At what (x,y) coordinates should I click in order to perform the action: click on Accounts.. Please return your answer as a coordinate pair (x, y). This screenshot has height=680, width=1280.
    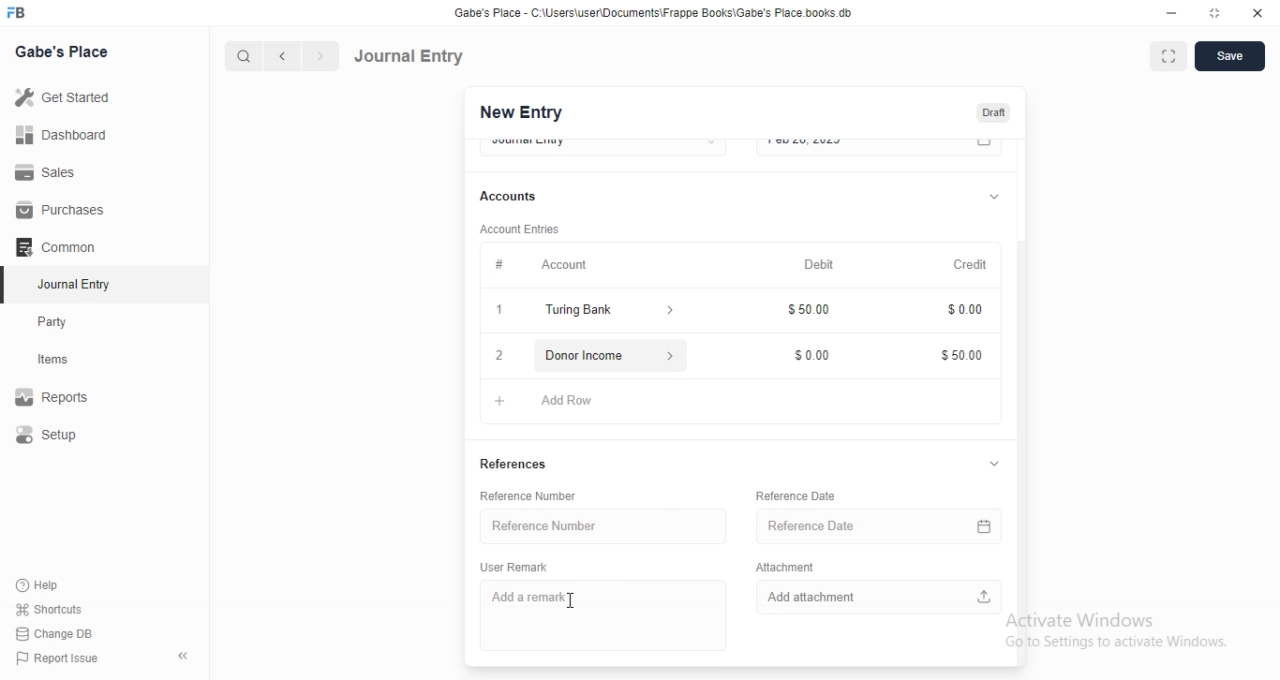
    Looking at the image, I should click on (518, 197).